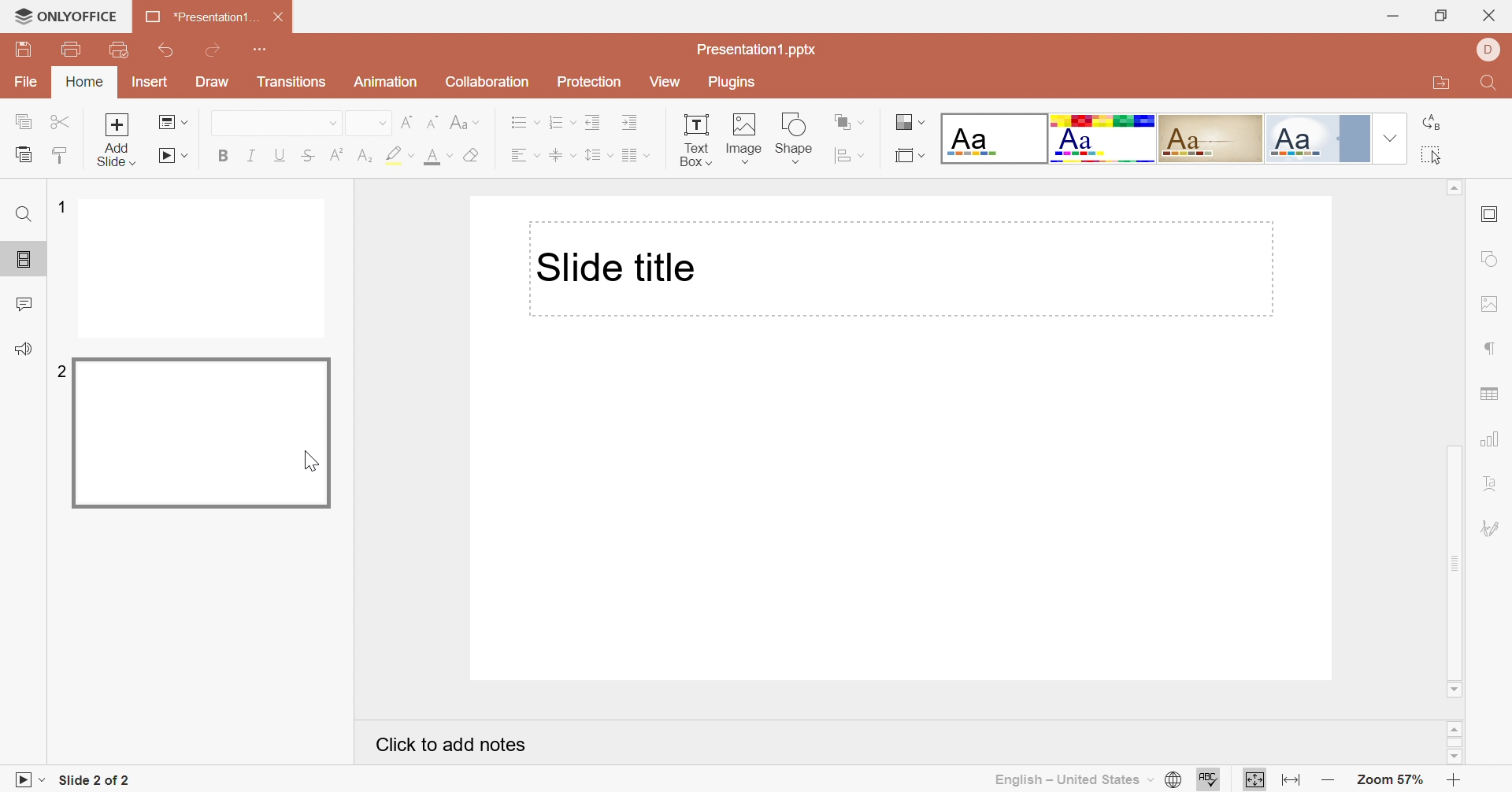 Image resolution: width=1512 pixels, height=792 pixels. Describe the element at coordinates (636, 157) in the screenshot. I see `Insert Columns` at that location.